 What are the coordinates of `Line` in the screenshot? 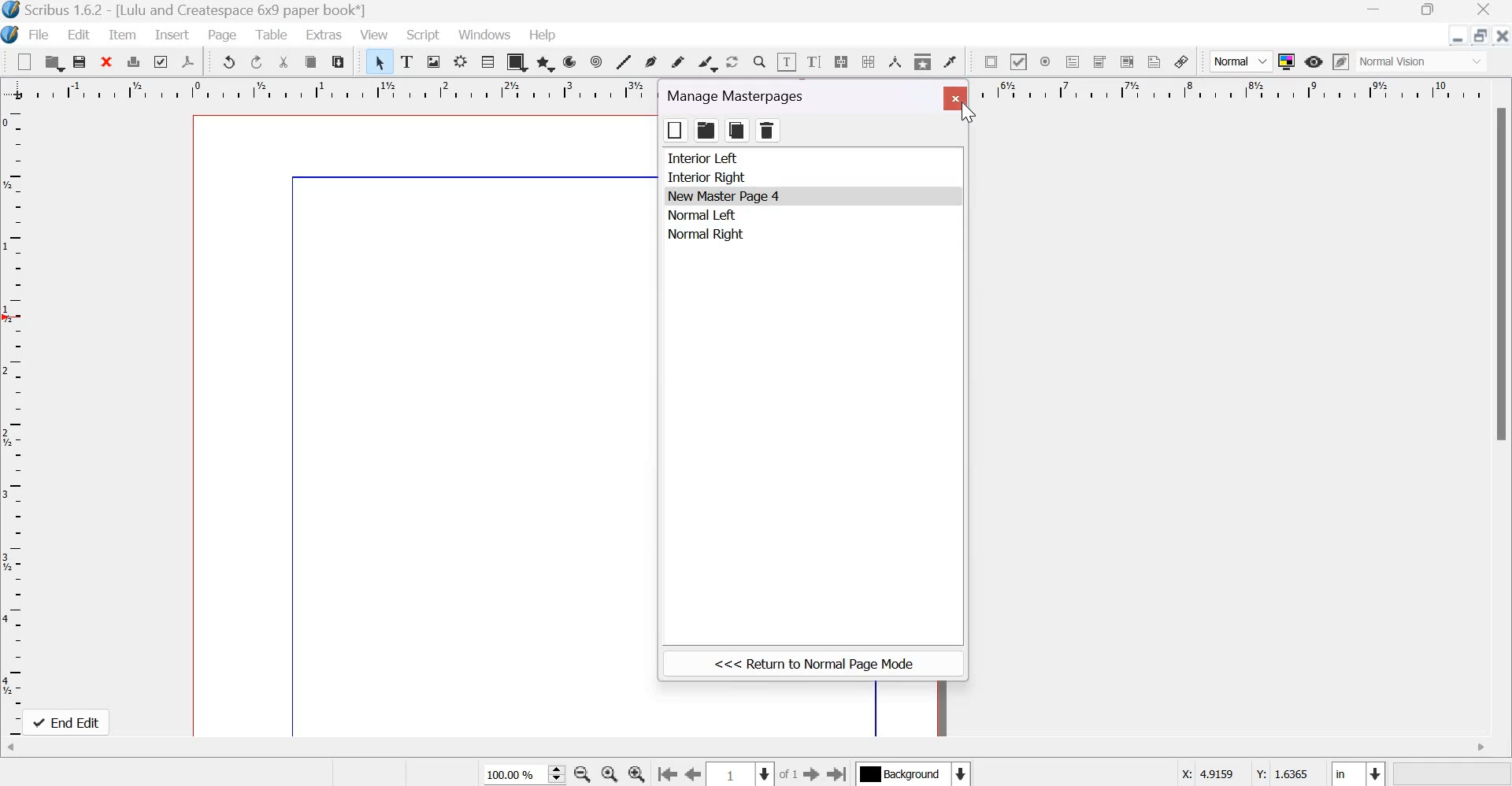 It's located at (624, 63).